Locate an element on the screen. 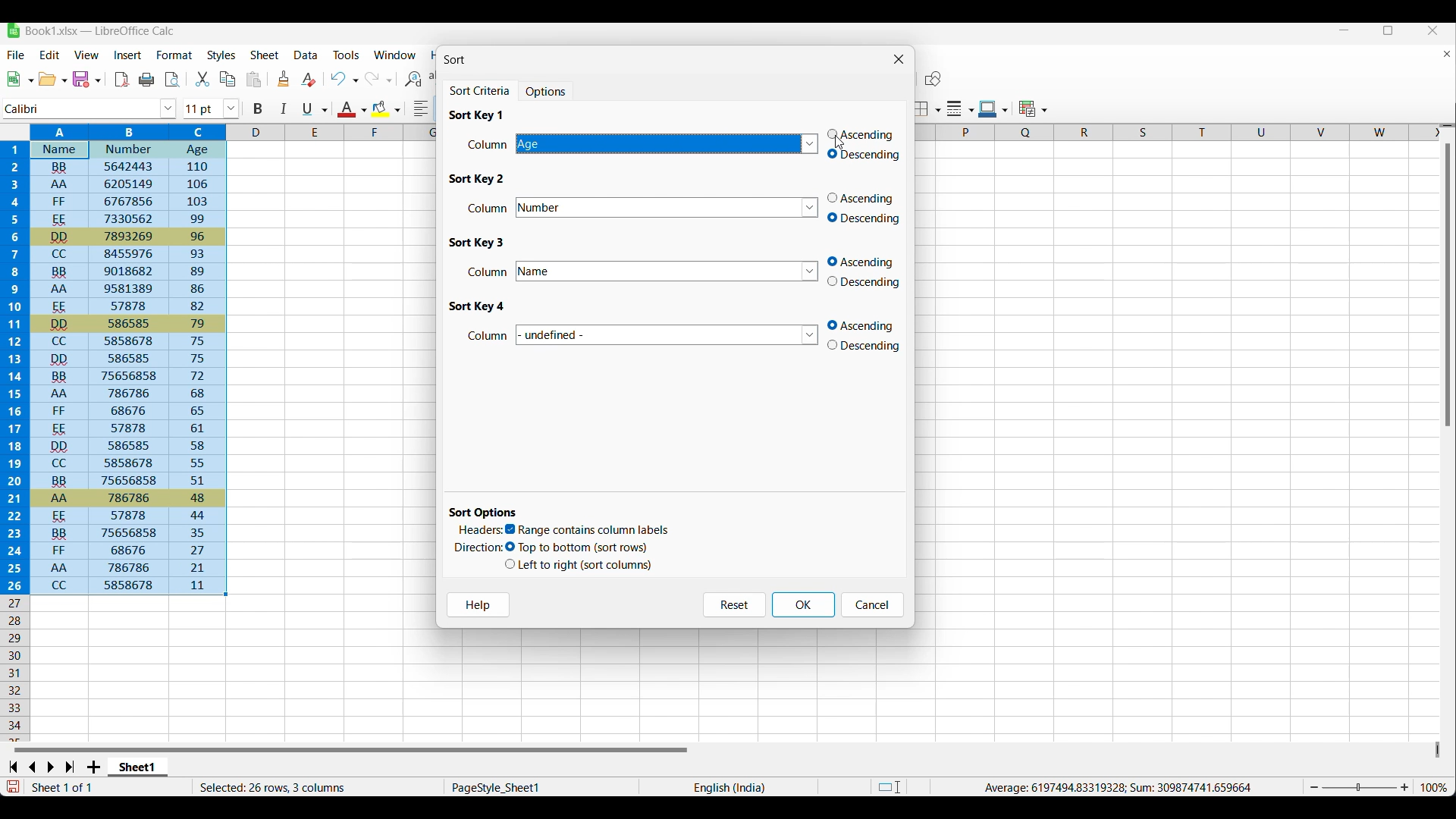  Current border color and other border color options is located at coordinates (993, 109).